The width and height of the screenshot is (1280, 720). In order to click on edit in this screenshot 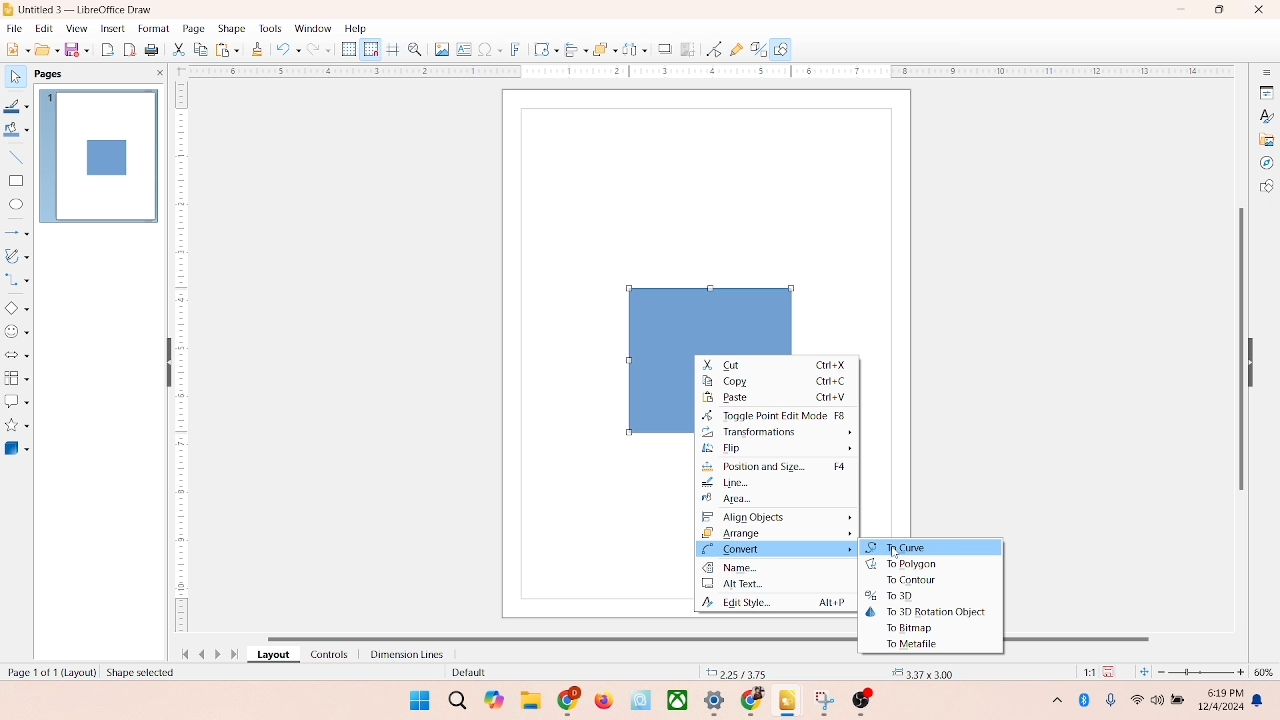, I will do `click(42, 29)`.